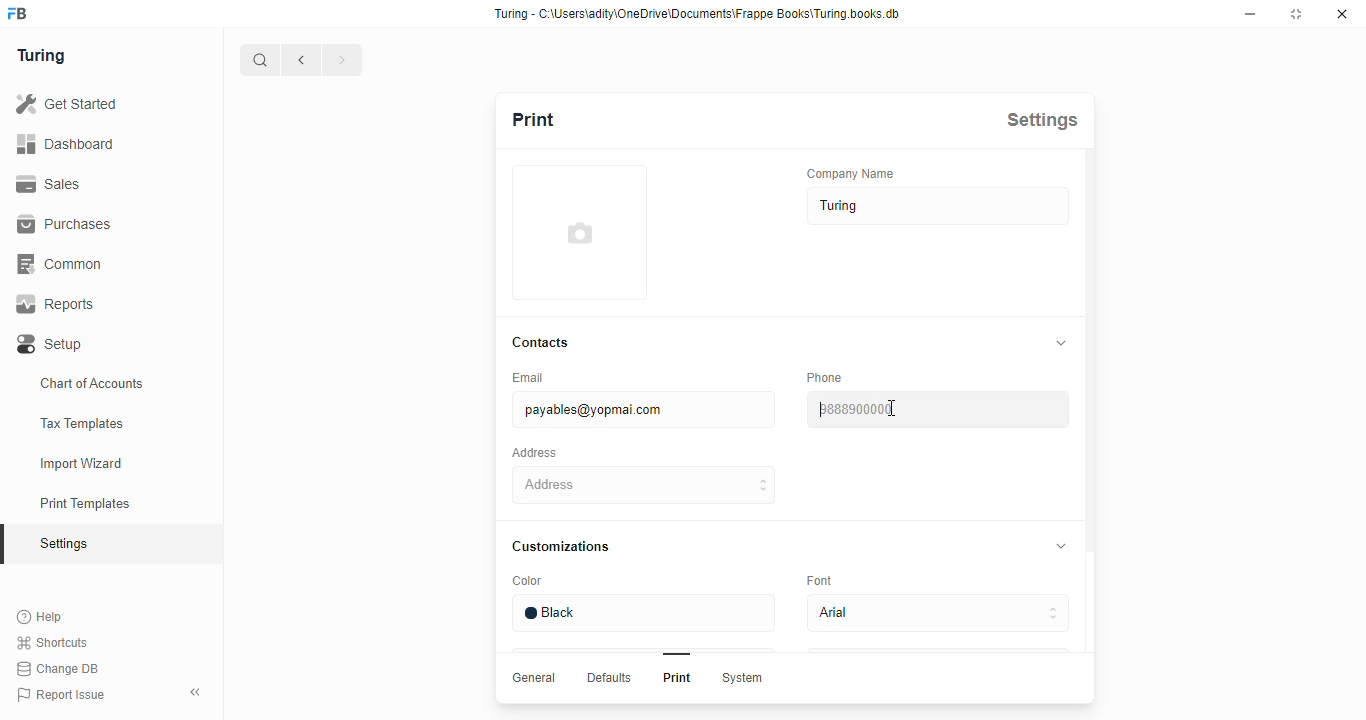  I want to click on Print, so click(676, 678).